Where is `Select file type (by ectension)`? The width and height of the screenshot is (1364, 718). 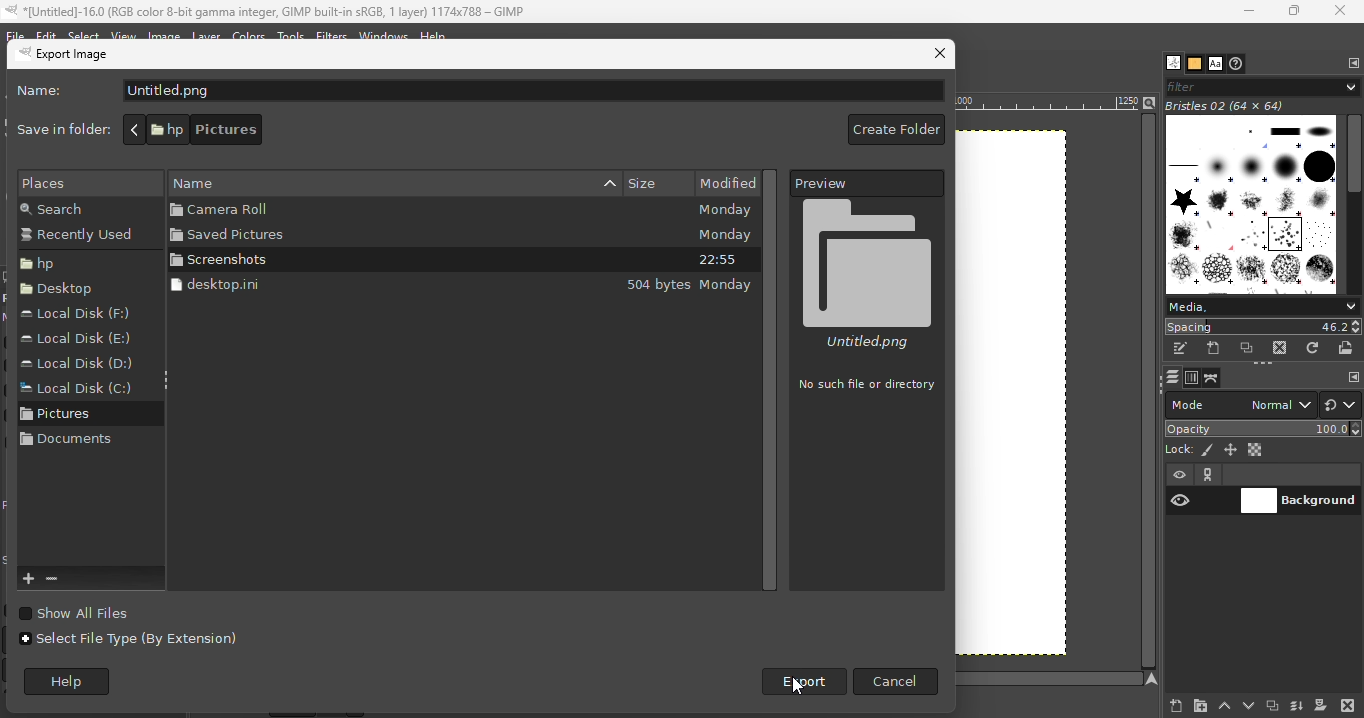
Select file type (by ectension) is located at coordinates (131, 646).